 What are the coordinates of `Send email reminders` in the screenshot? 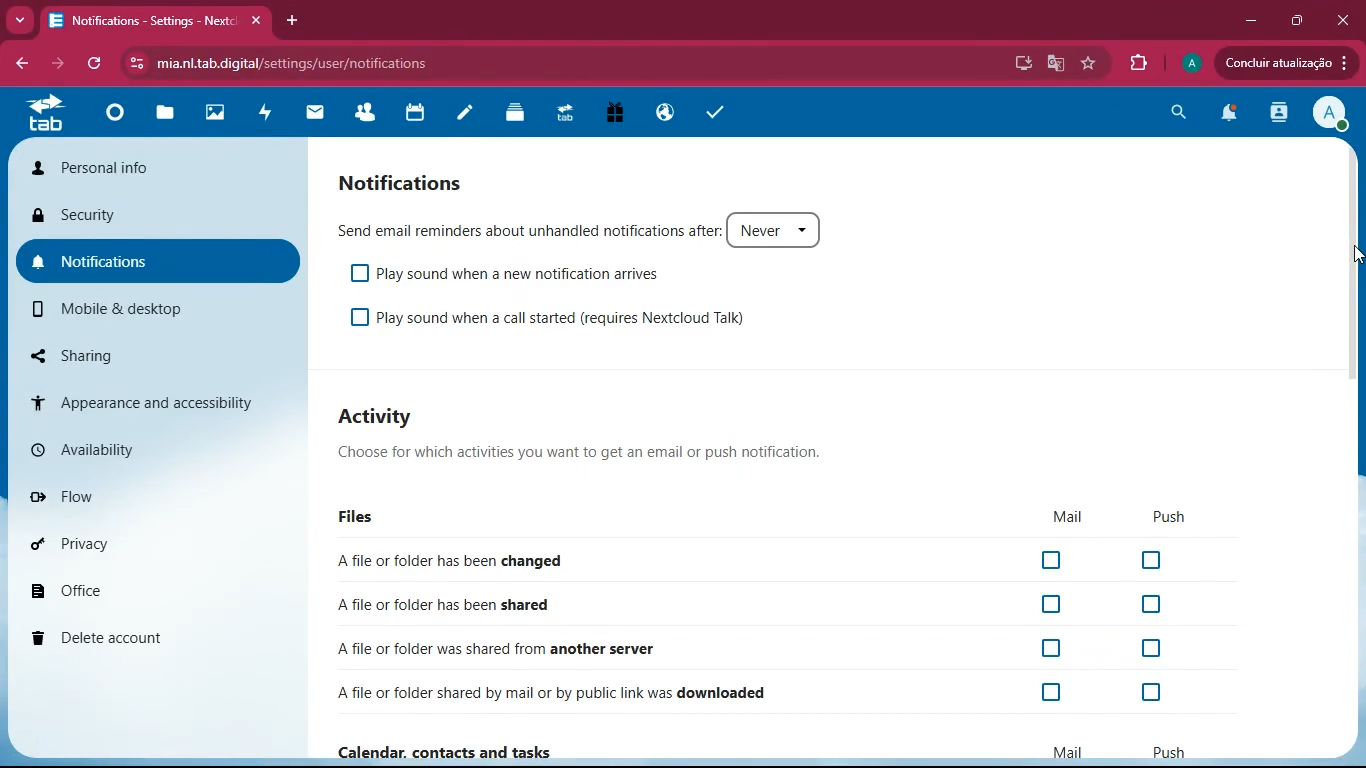 It's located at (584, 232).